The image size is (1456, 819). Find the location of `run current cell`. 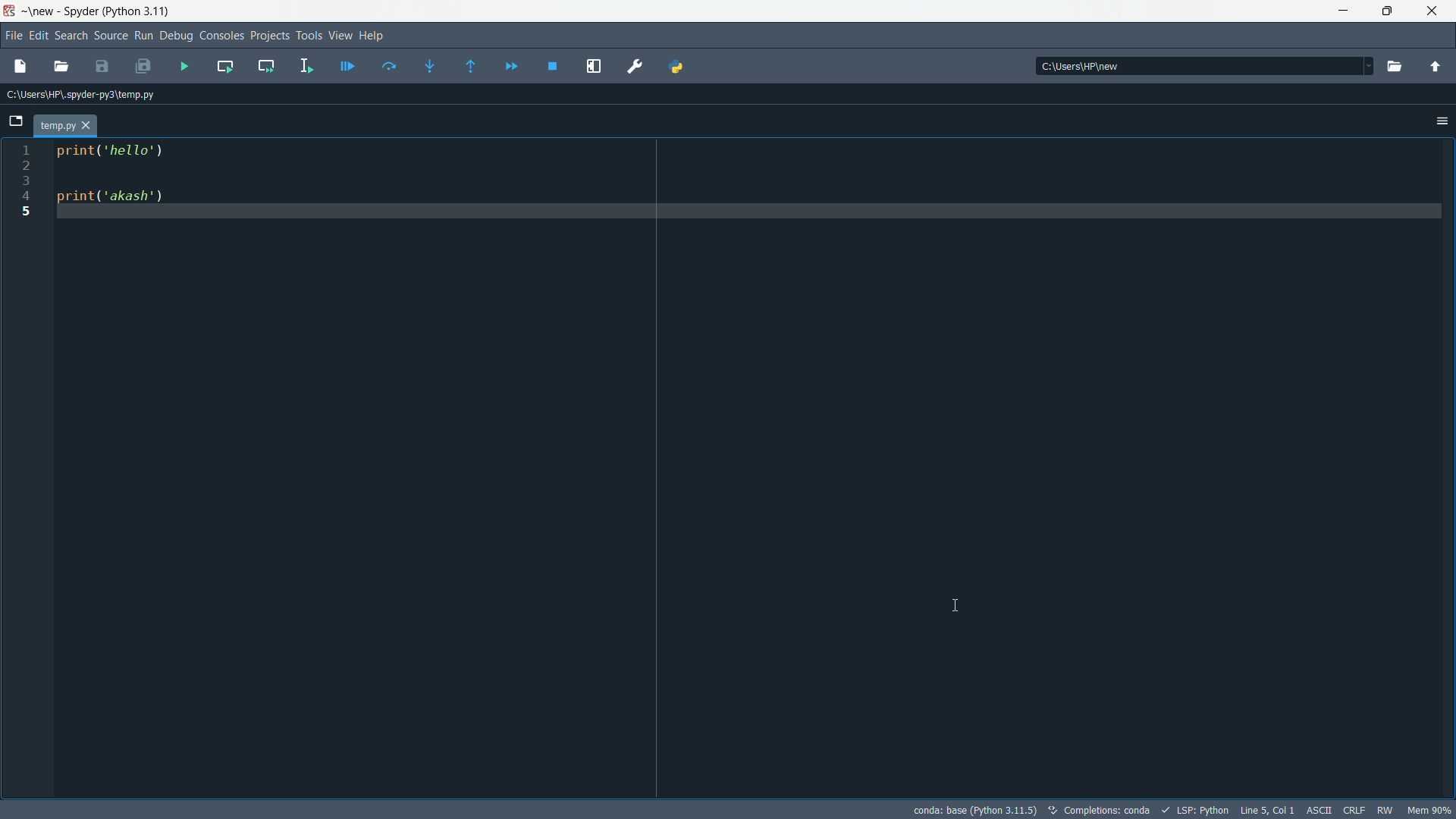

run current cell is located at coordinates (224, 65).